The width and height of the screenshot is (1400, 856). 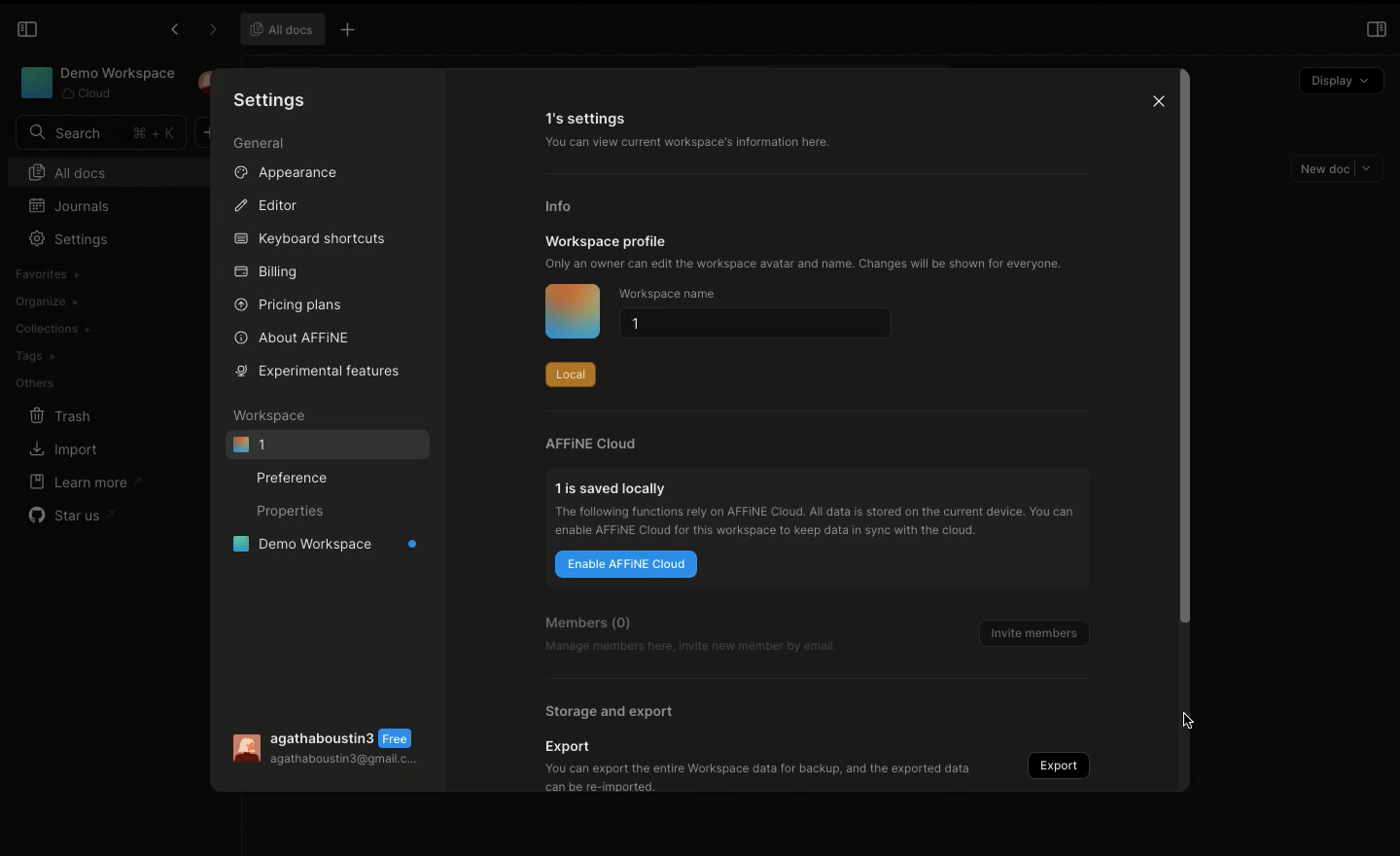 I want to click on Trash, so click(x=62, y=415).